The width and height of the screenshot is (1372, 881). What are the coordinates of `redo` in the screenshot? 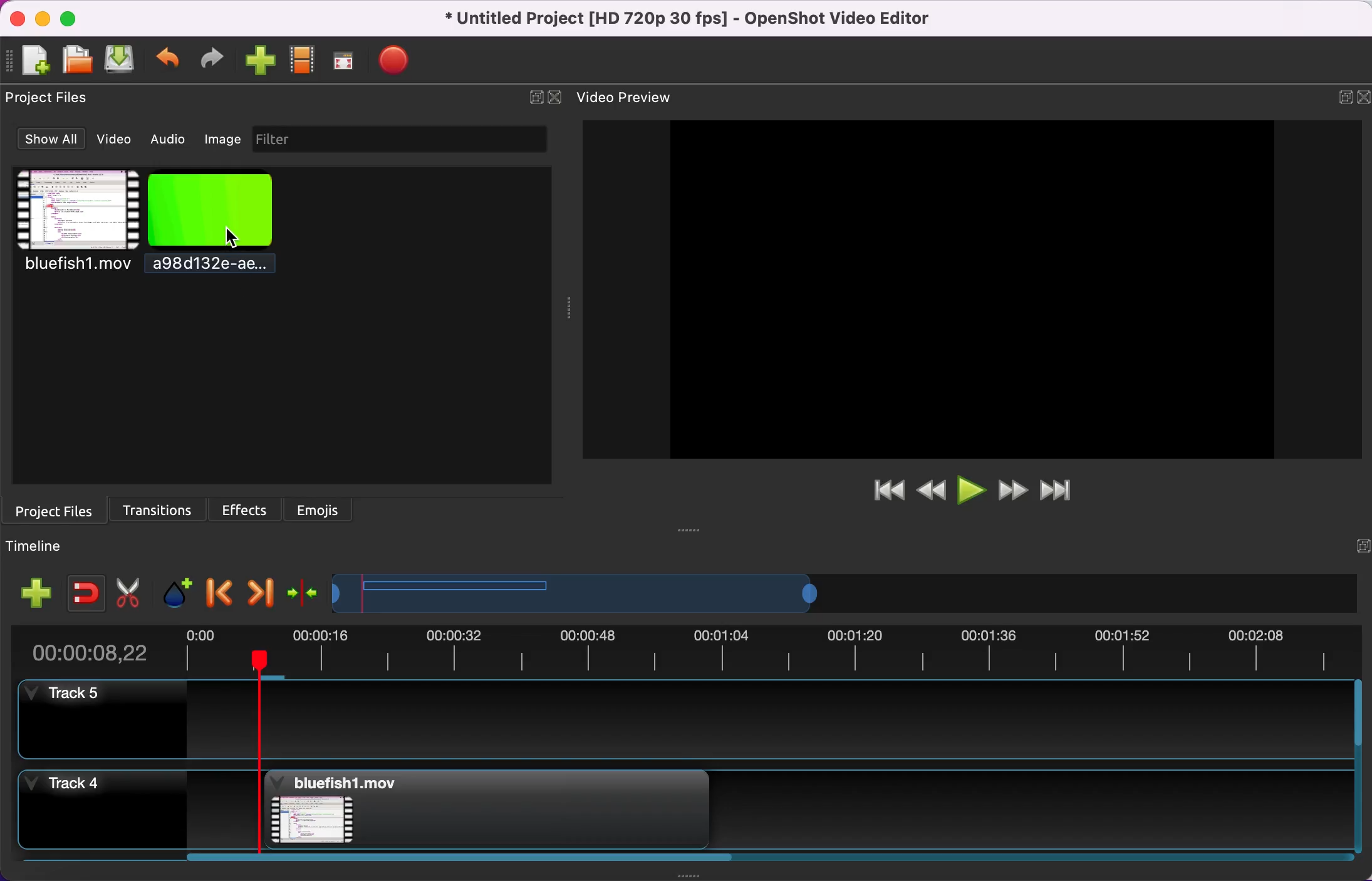 It's located at (210, 58).